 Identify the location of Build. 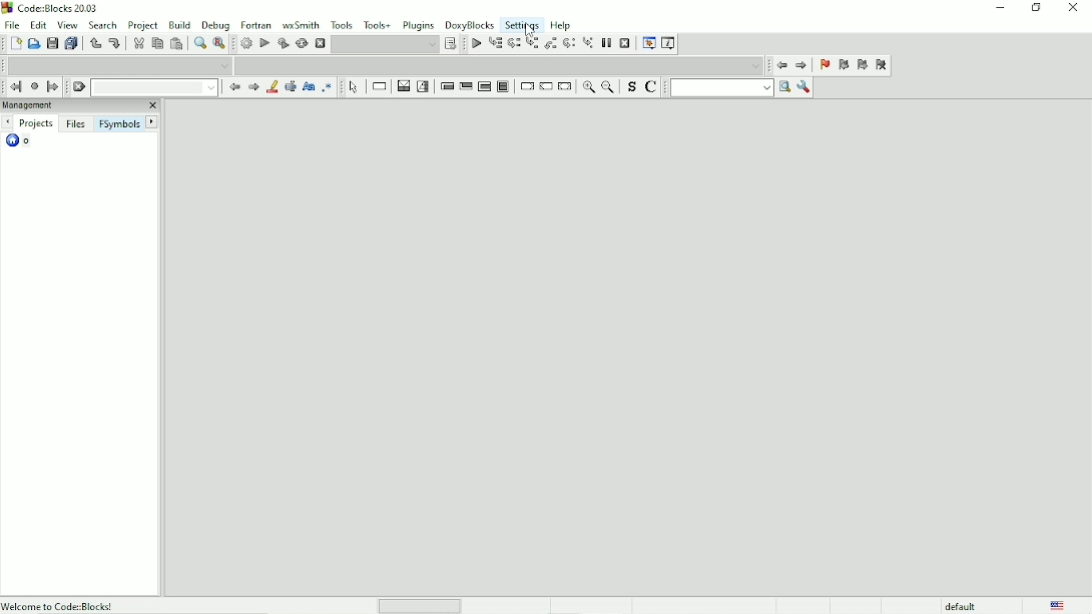
(247, 43).